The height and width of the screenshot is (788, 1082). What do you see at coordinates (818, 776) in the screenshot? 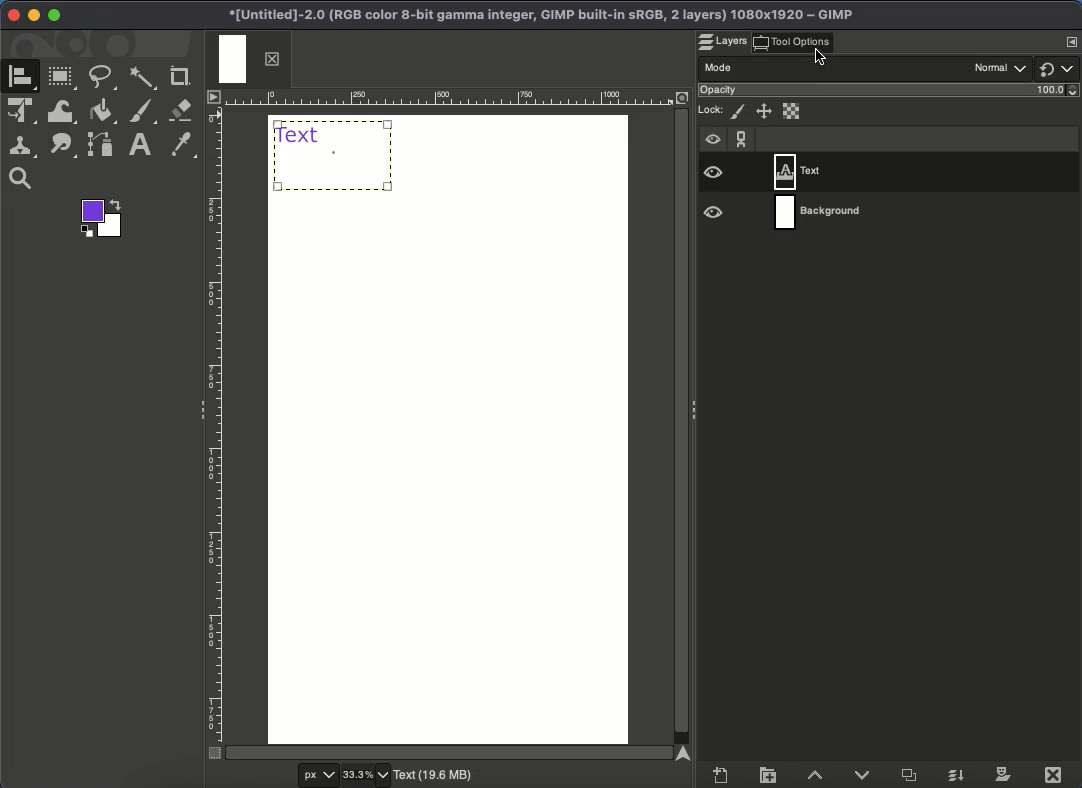
I see `Raise layer` at bounding box center [818, 776].